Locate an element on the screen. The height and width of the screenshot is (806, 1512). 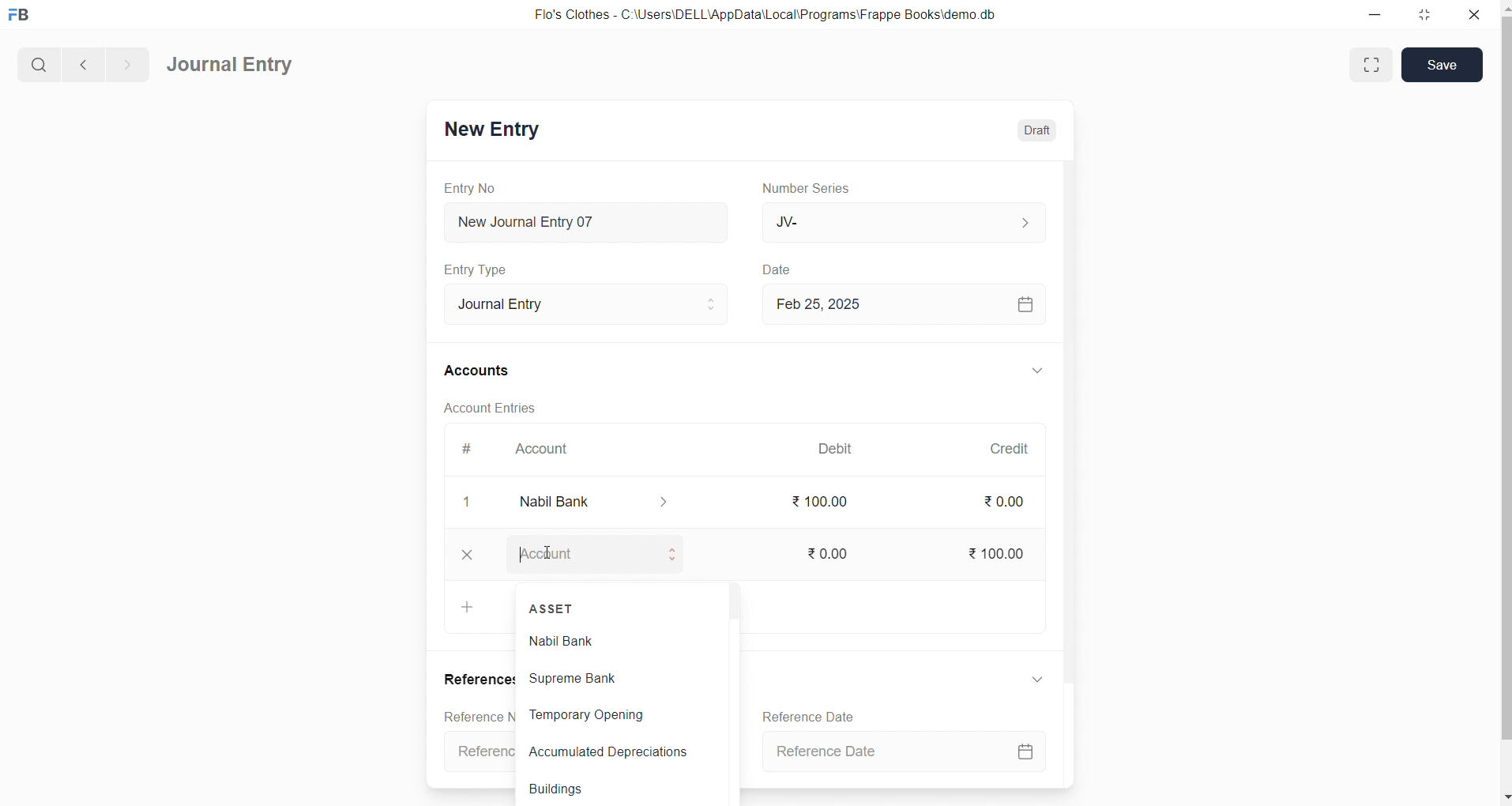
expand/collapse is located at coordinates (1039, 371).